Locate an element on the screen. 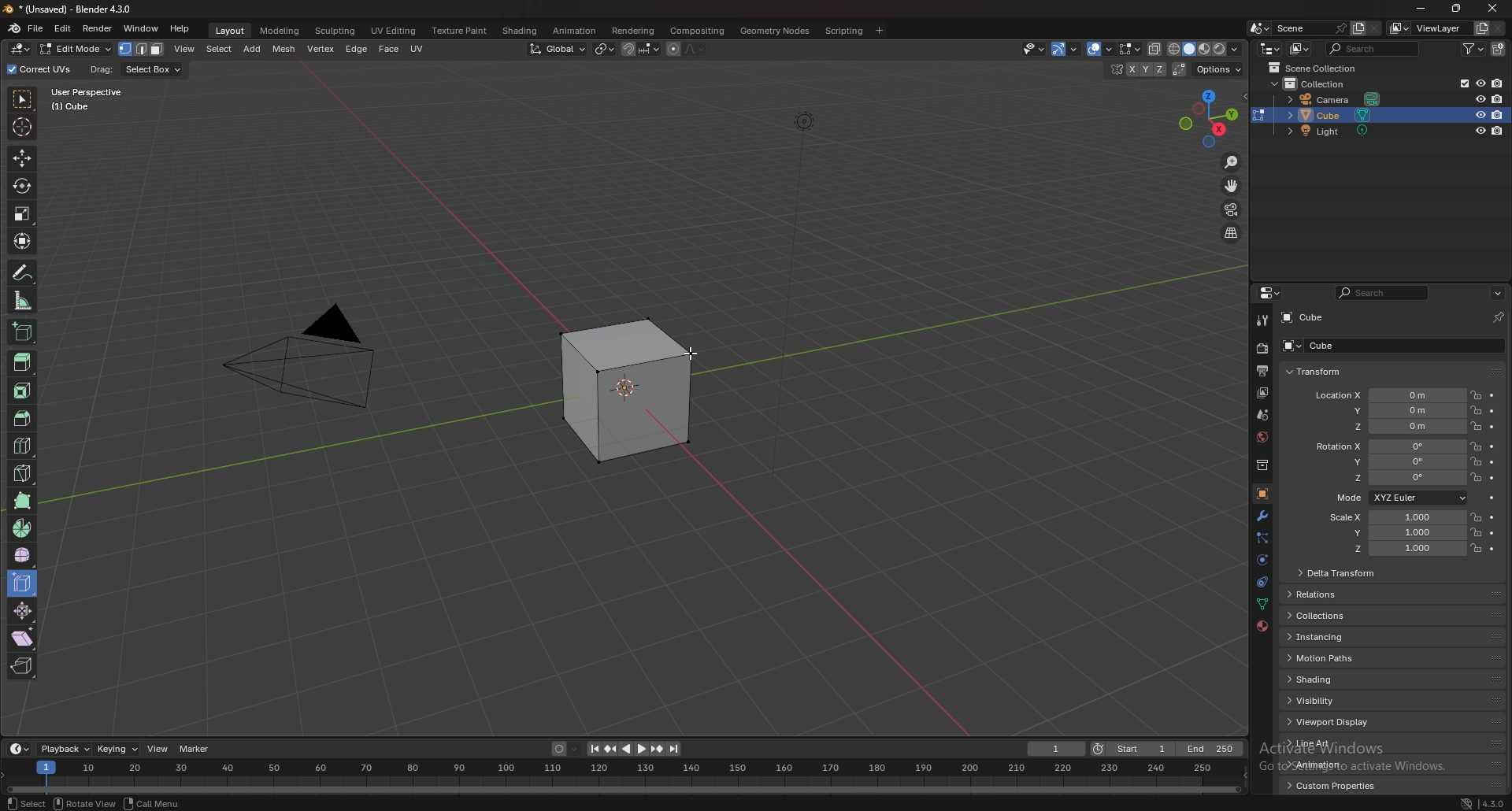 This screenshot has width=1512, height=811. cube is located at coordinates (1381, 115).